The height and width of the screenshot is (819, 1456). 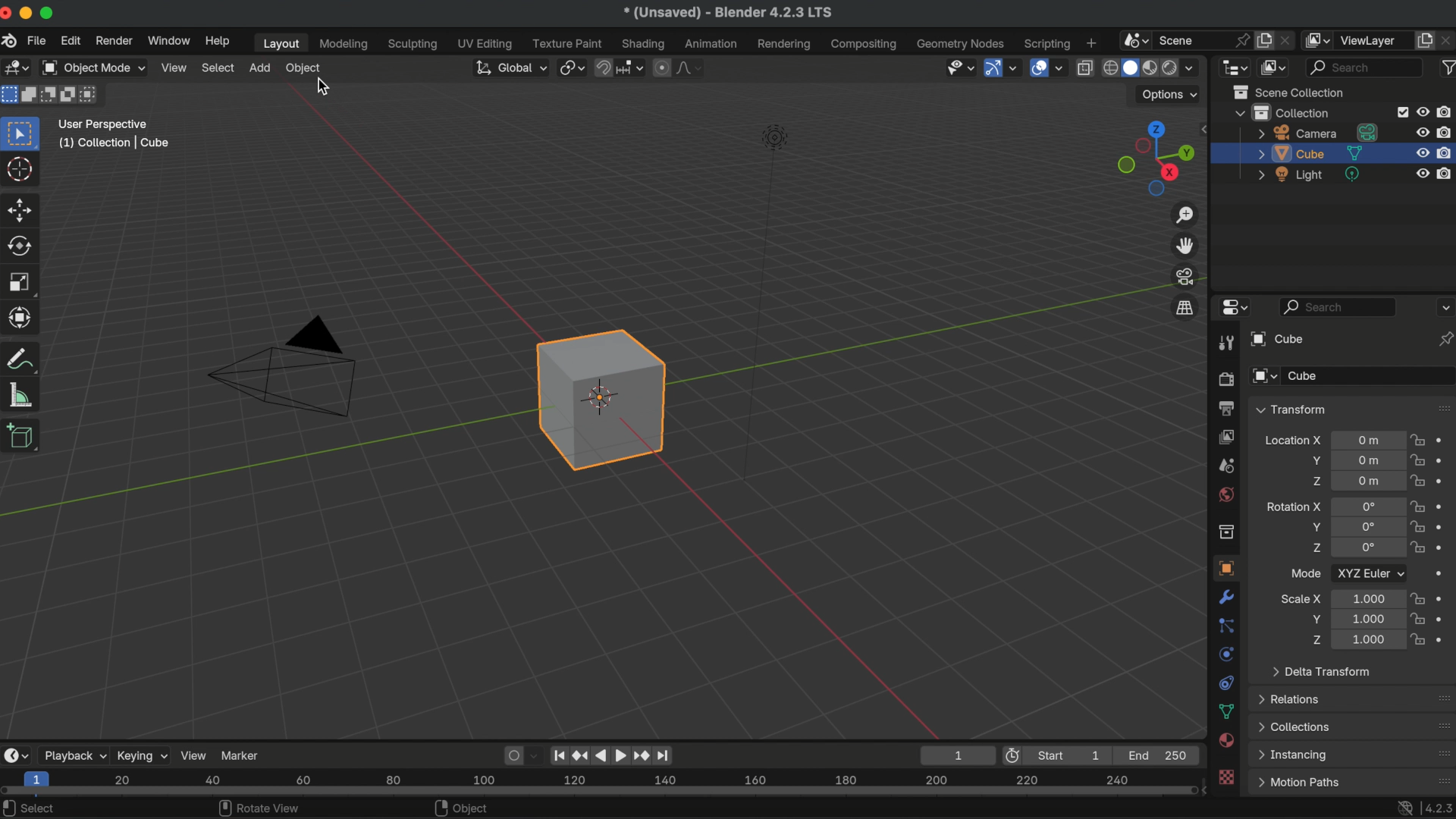 I want to click on drag handles, so click(x=1439, y=778).